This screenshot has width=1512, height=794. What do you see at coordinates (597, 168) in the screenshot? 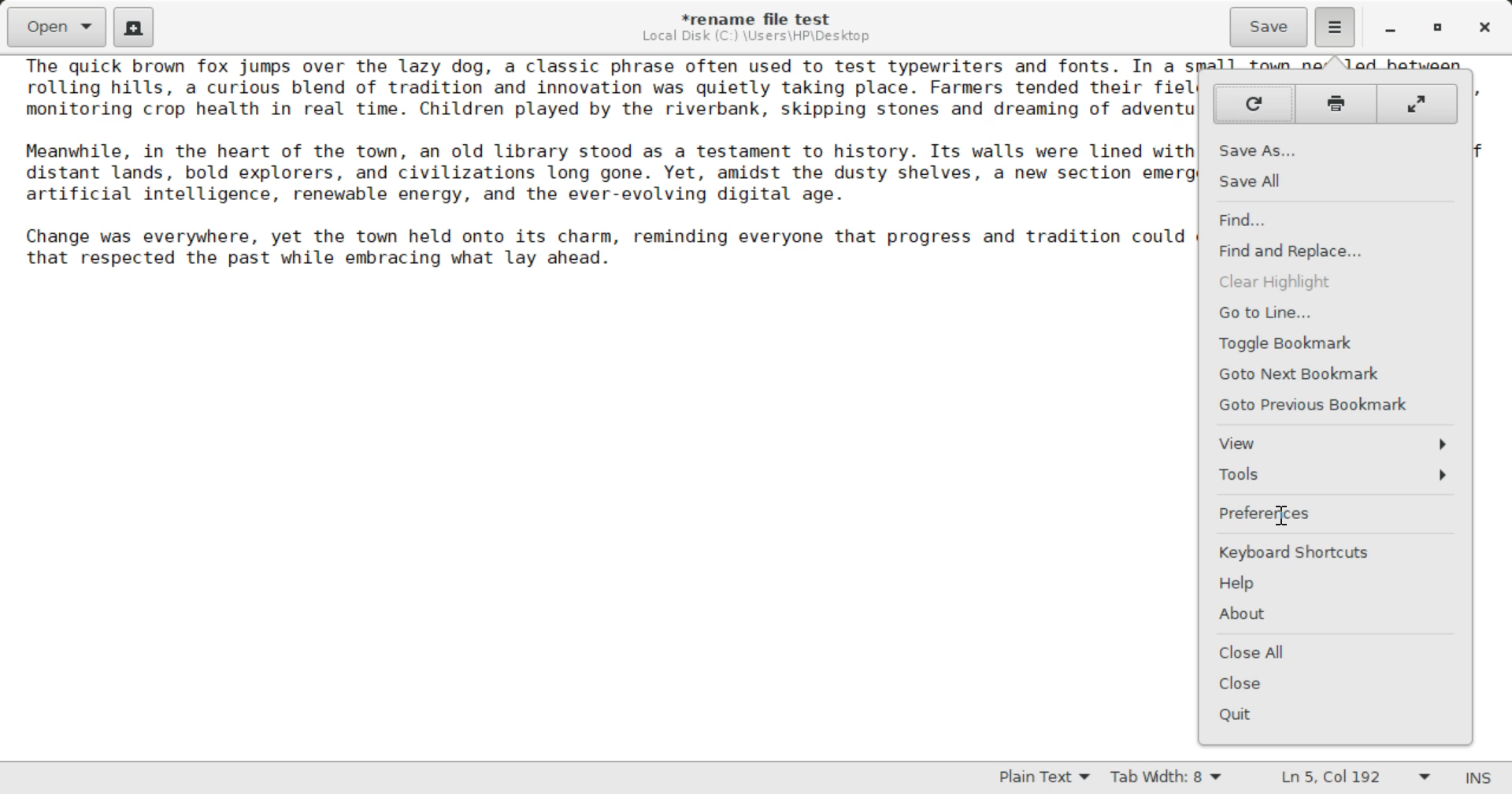
I see `Sample text about a charming town` at bounding box center [597, 168].